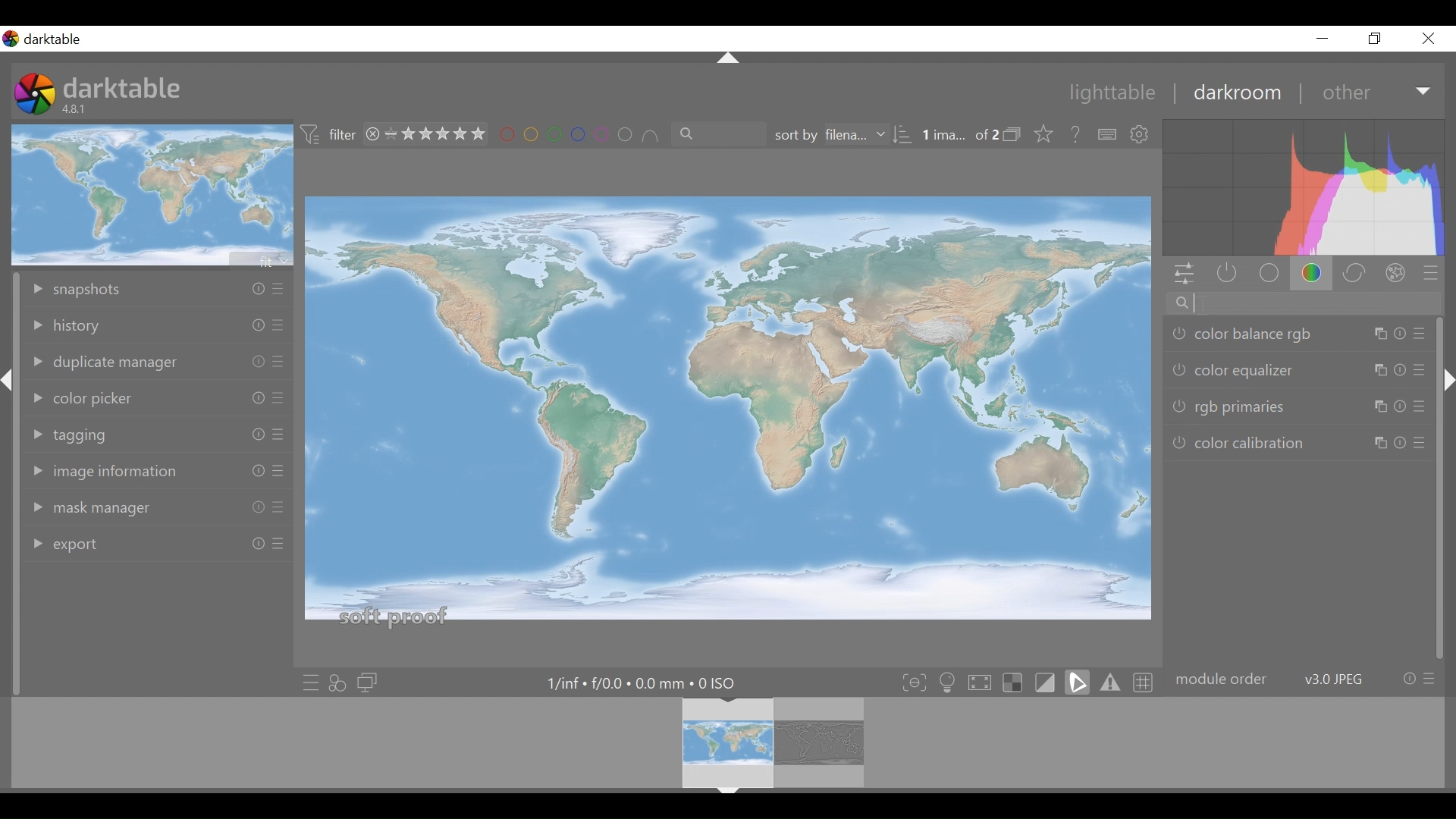  What do you see at coordinates (1447, 380) in the screenshot?
I see `expand/collapse` at bounding box center [1447, 380].